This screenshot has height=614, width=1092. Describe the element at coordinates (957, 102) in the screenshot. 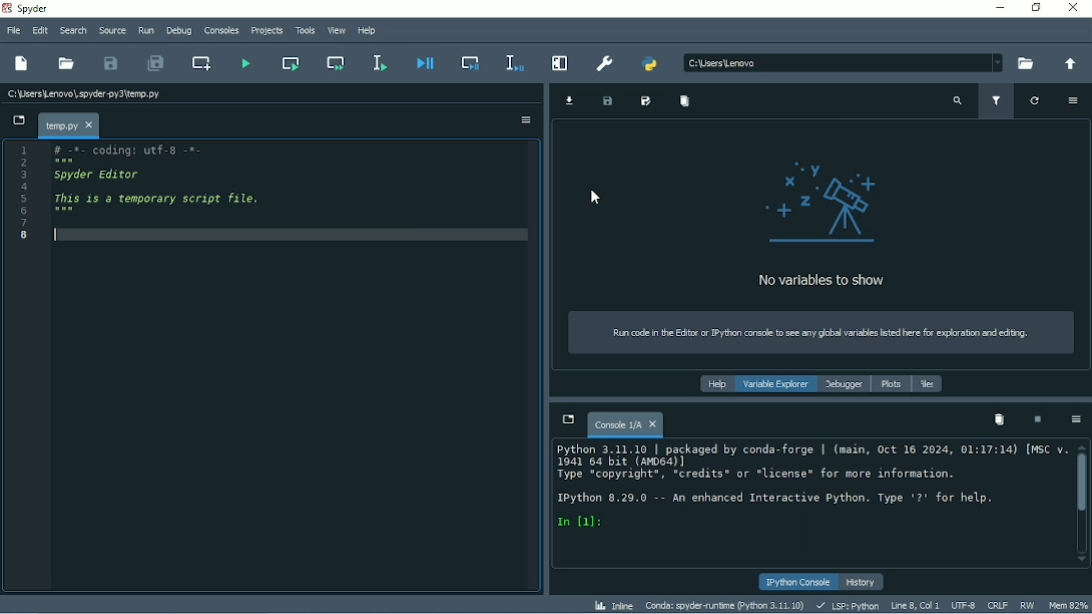

I see `Search variable names and types` at that location.